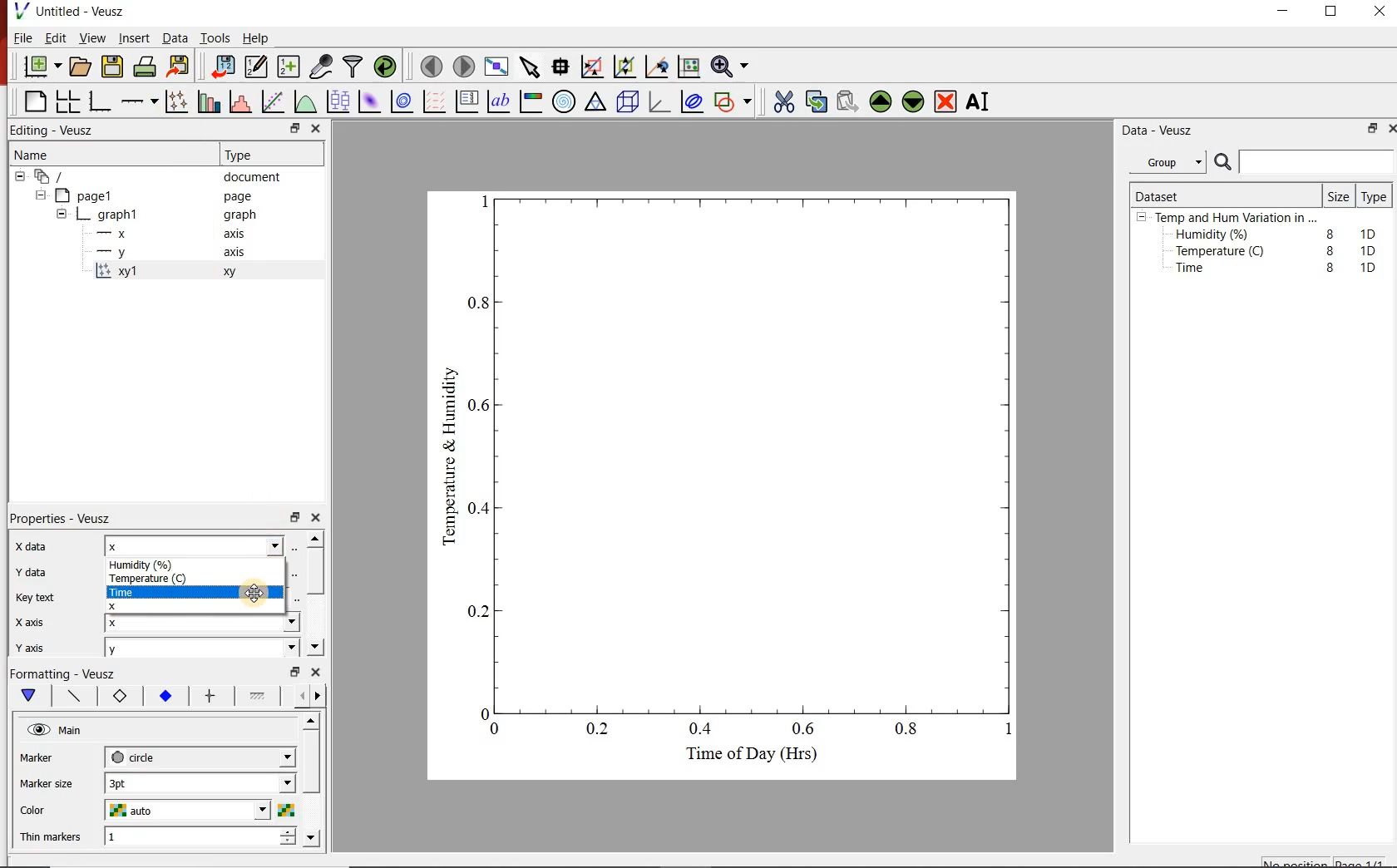  I want to click on new document, so click(41, 67).